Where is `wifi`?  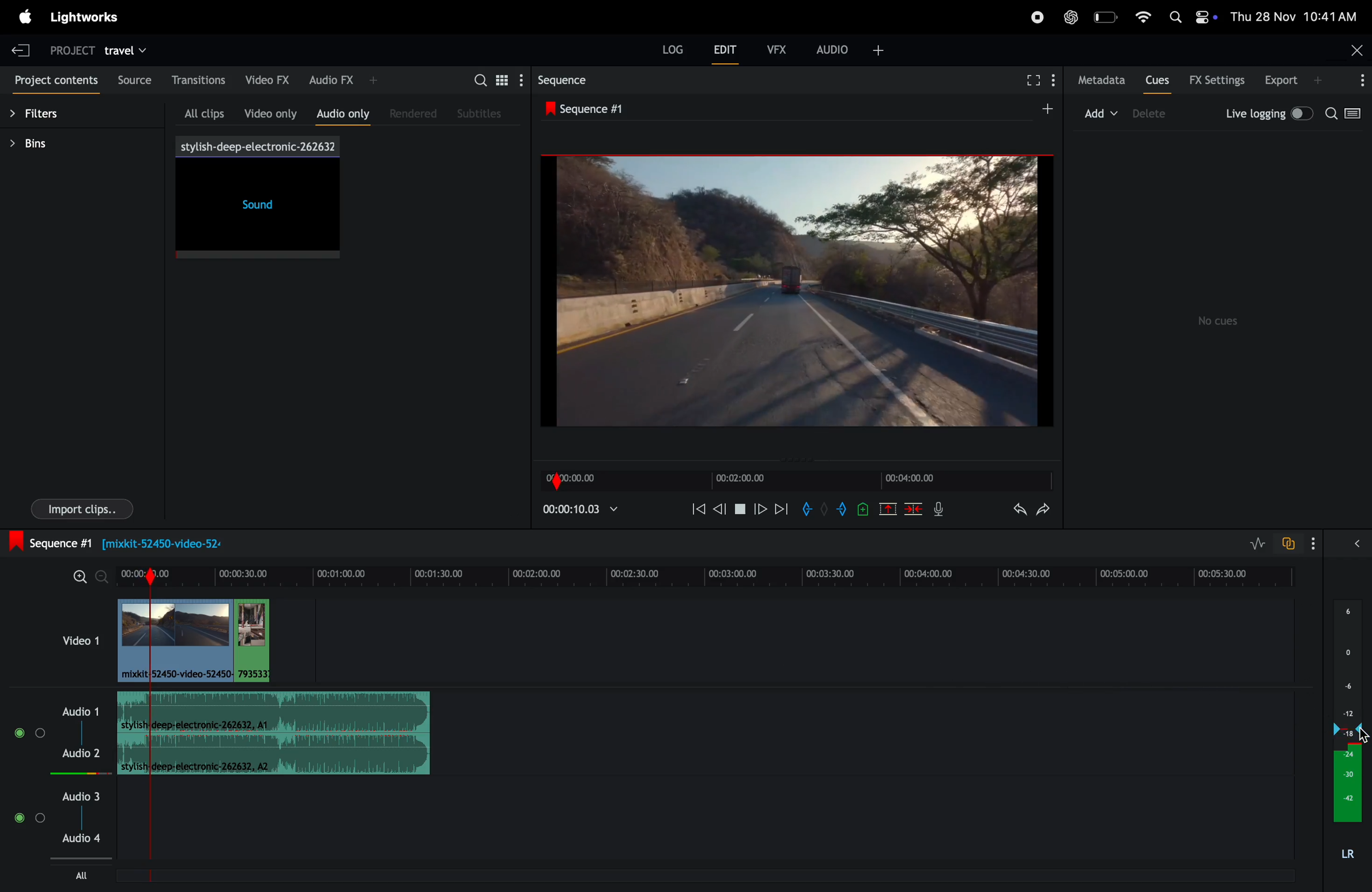 wifi is located at coordinates (1143, 16).